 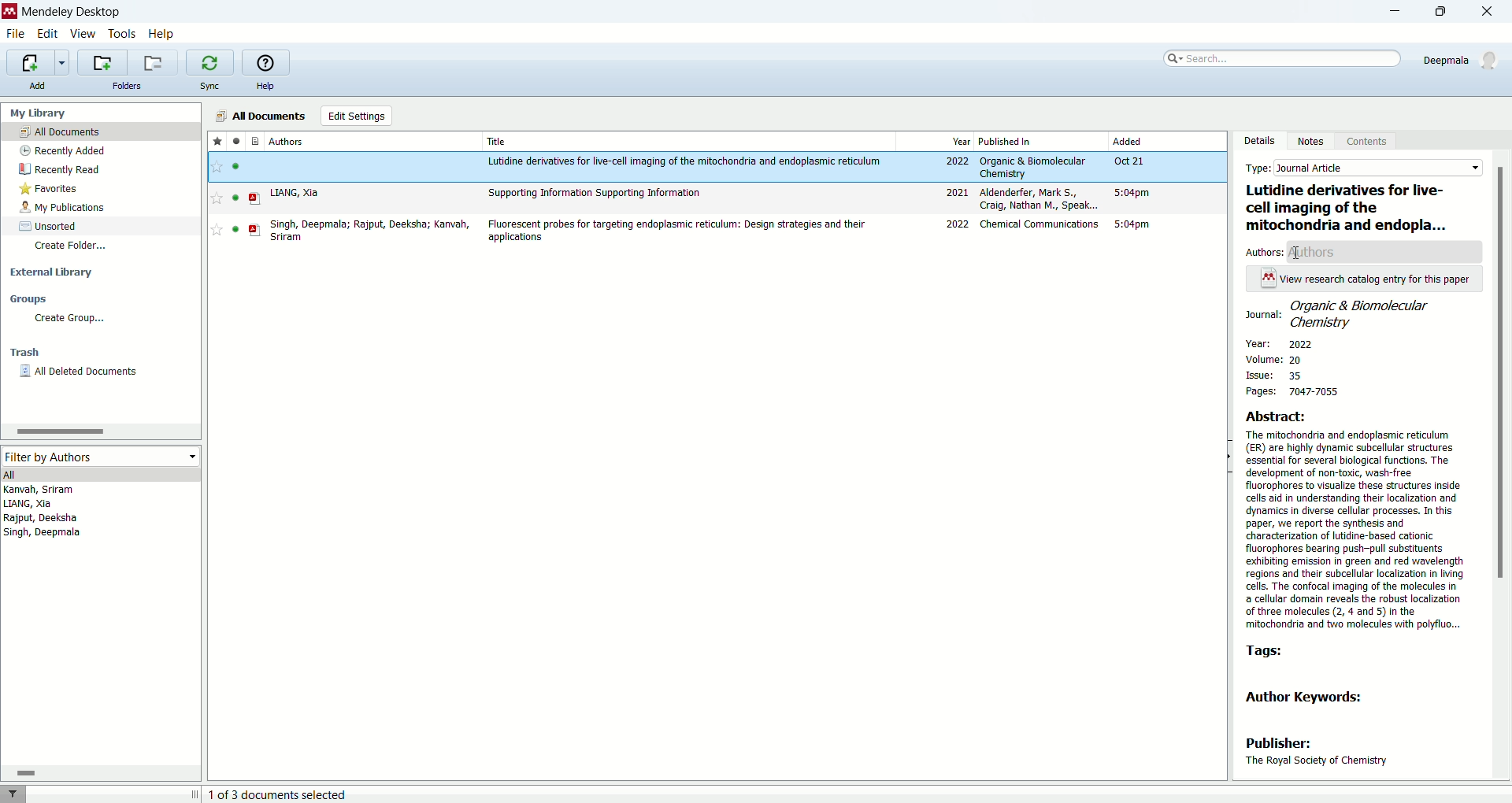 What do you see at coordinates (1289, 393) in the screenshot?
I see `pages: 7047-7055` at bounding box center [1289, 393].